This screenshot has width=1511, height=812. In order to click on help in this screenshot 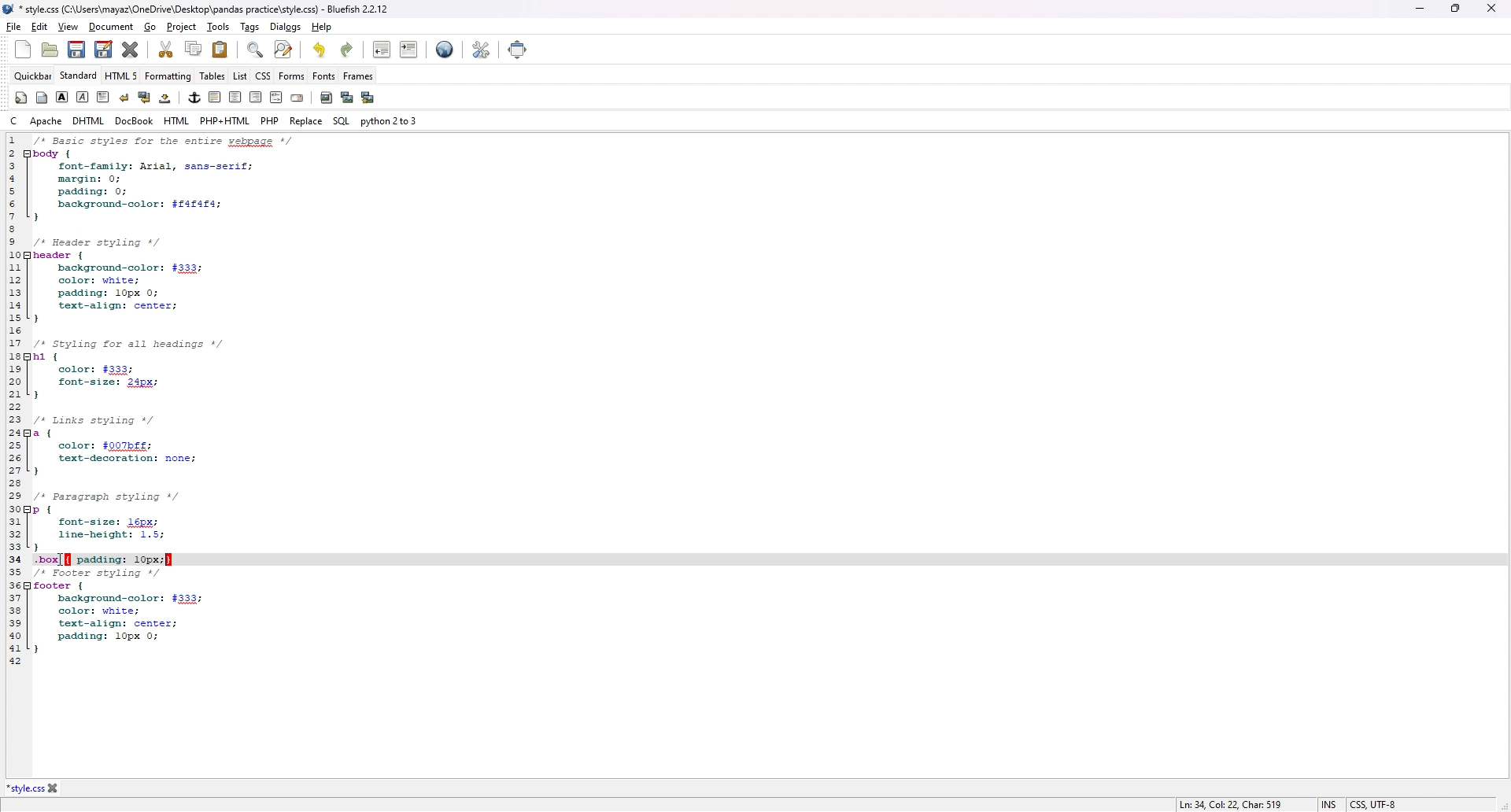, I will do `click(323, 27)`.